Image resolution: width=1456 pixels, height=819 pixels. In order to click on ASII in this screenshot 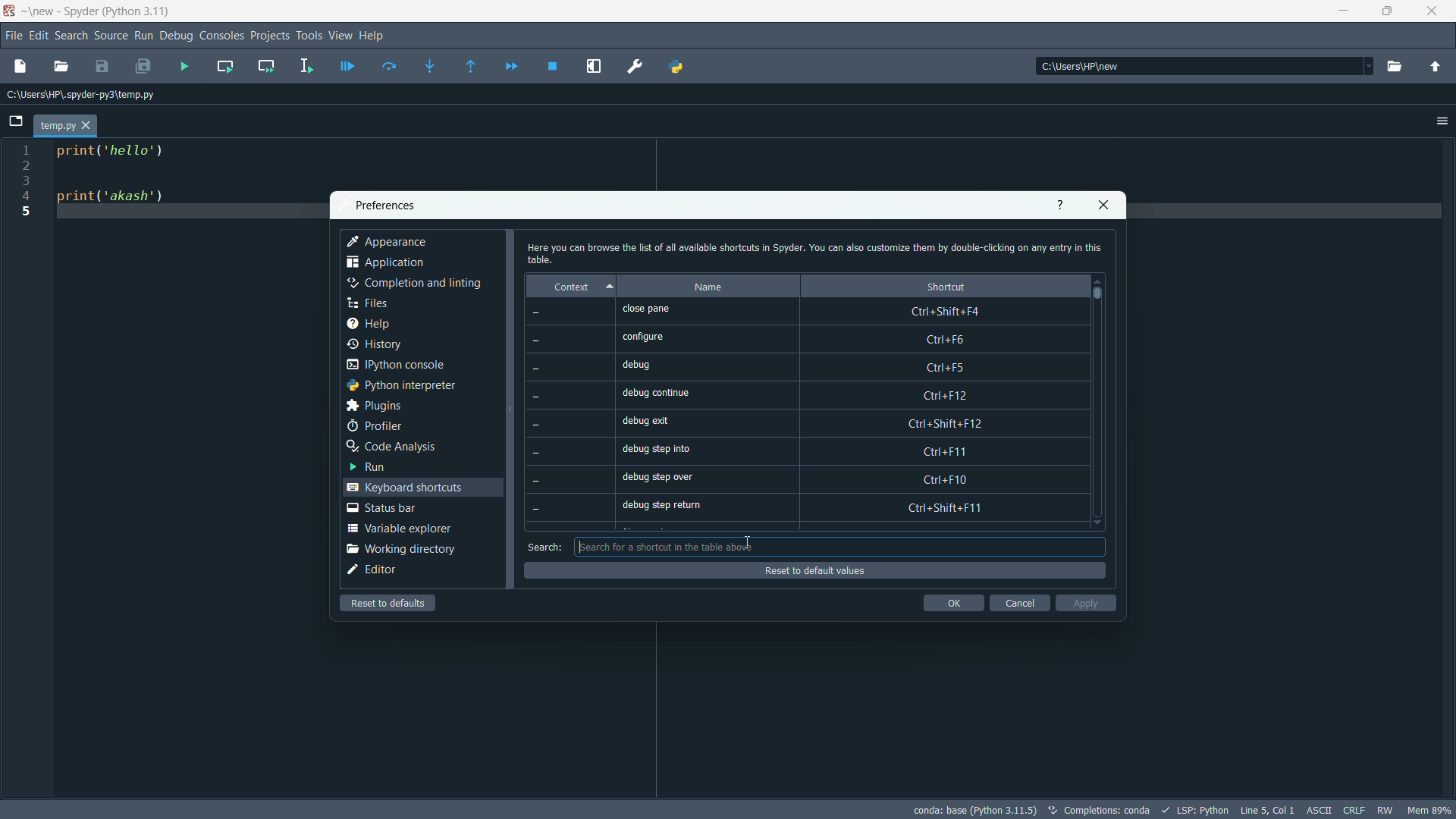, I will do `click(1318, 809)`.